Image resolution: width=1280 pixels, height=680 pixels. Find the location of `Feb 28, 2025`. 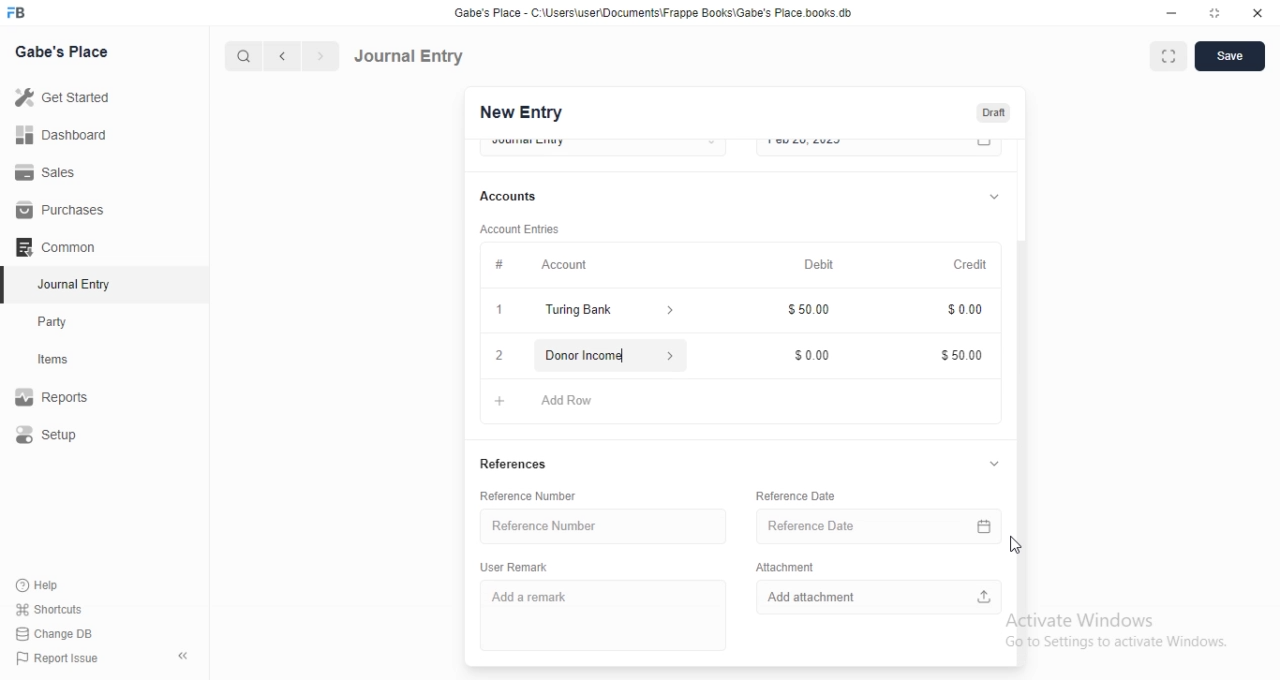

Feb 28, 2025 is located at coordinates (860, 146).